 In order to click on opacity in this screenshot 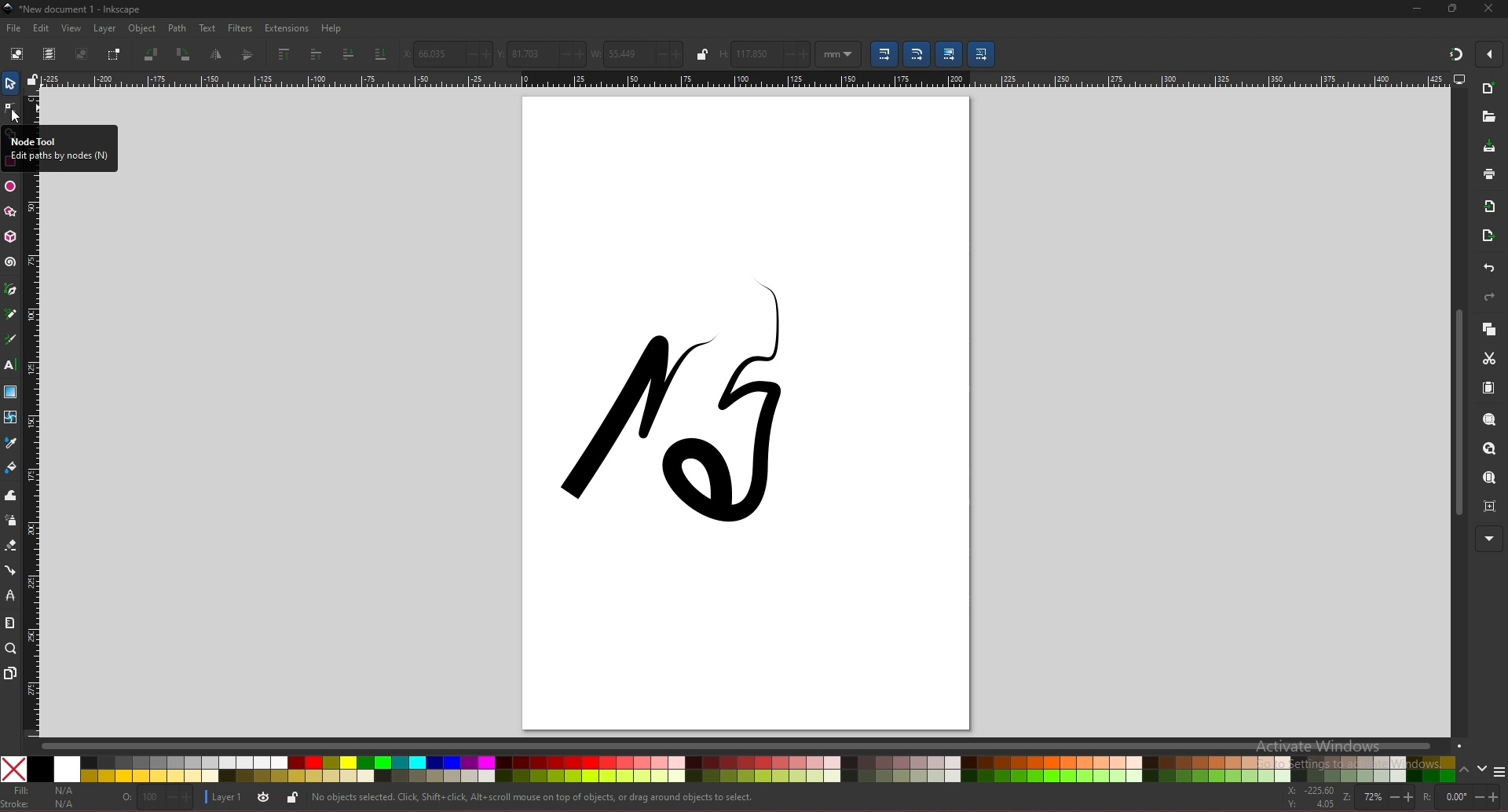, I will do `click(153, 797)`.